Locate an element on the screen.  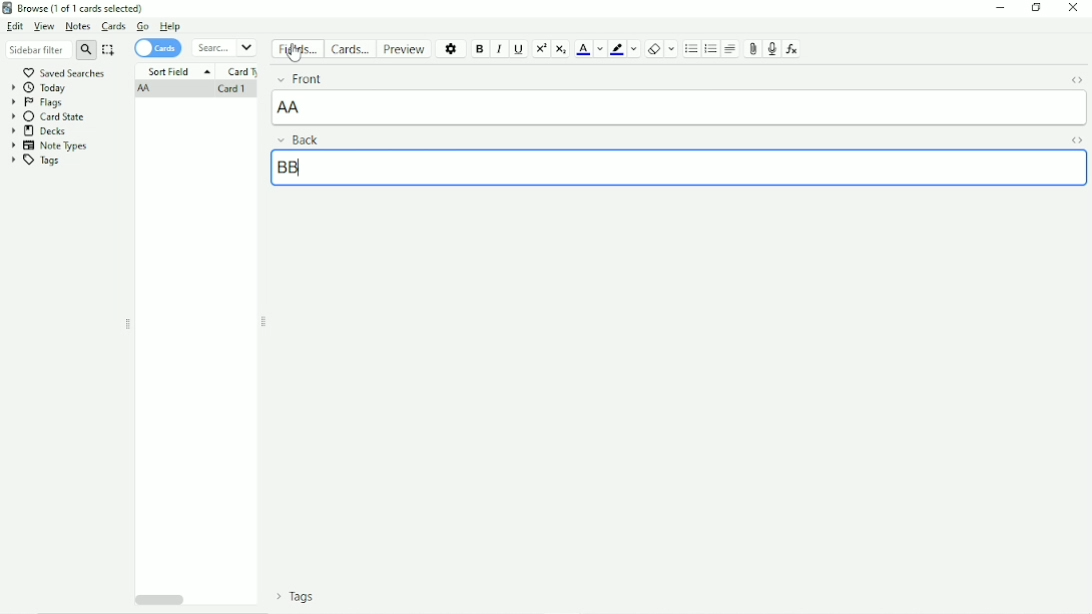
Remove formatting is located at coordinates (654, 49).